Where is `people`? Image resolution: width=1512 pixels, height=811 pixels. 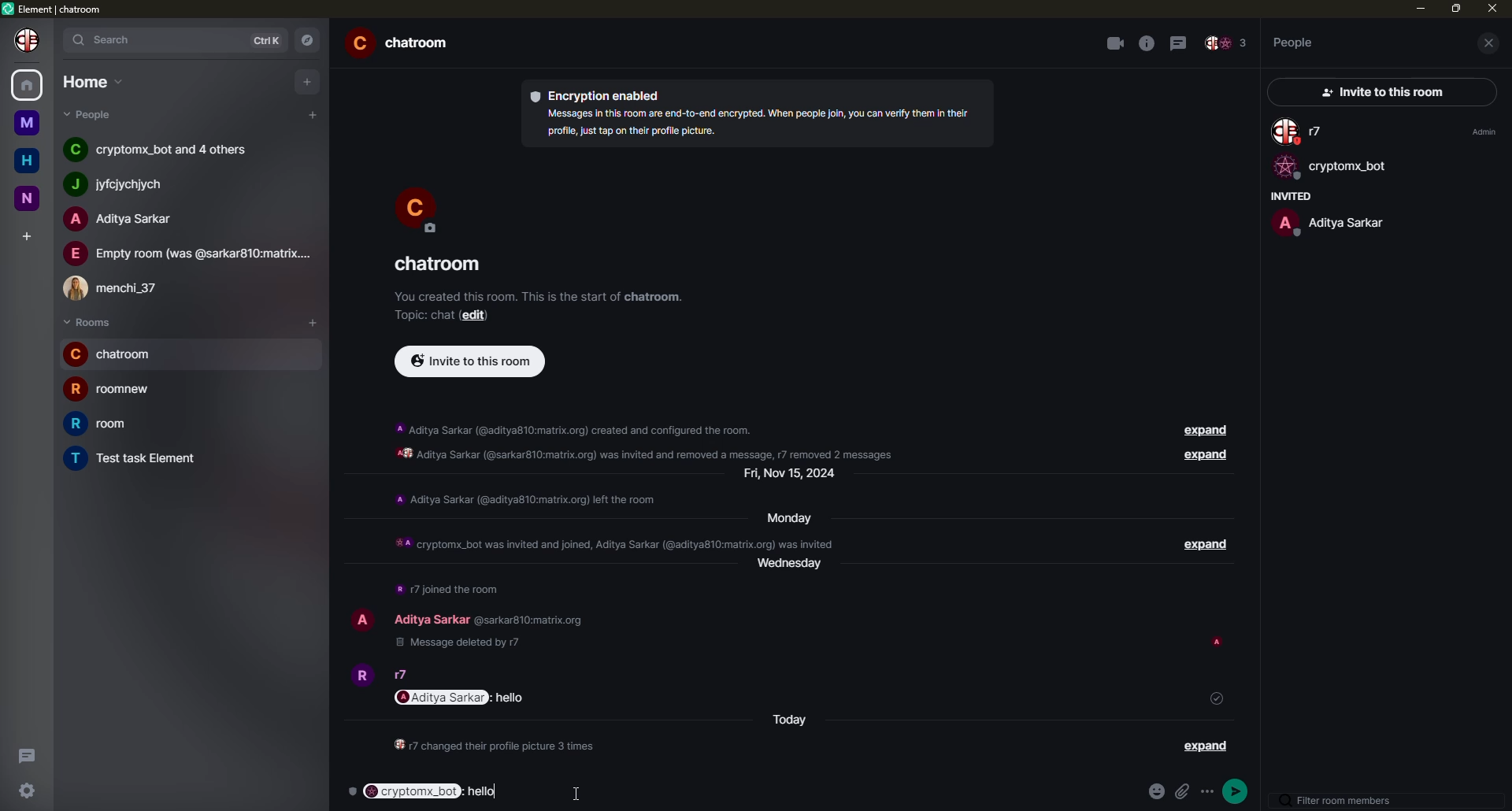
people is located at coordinates (120, 285).